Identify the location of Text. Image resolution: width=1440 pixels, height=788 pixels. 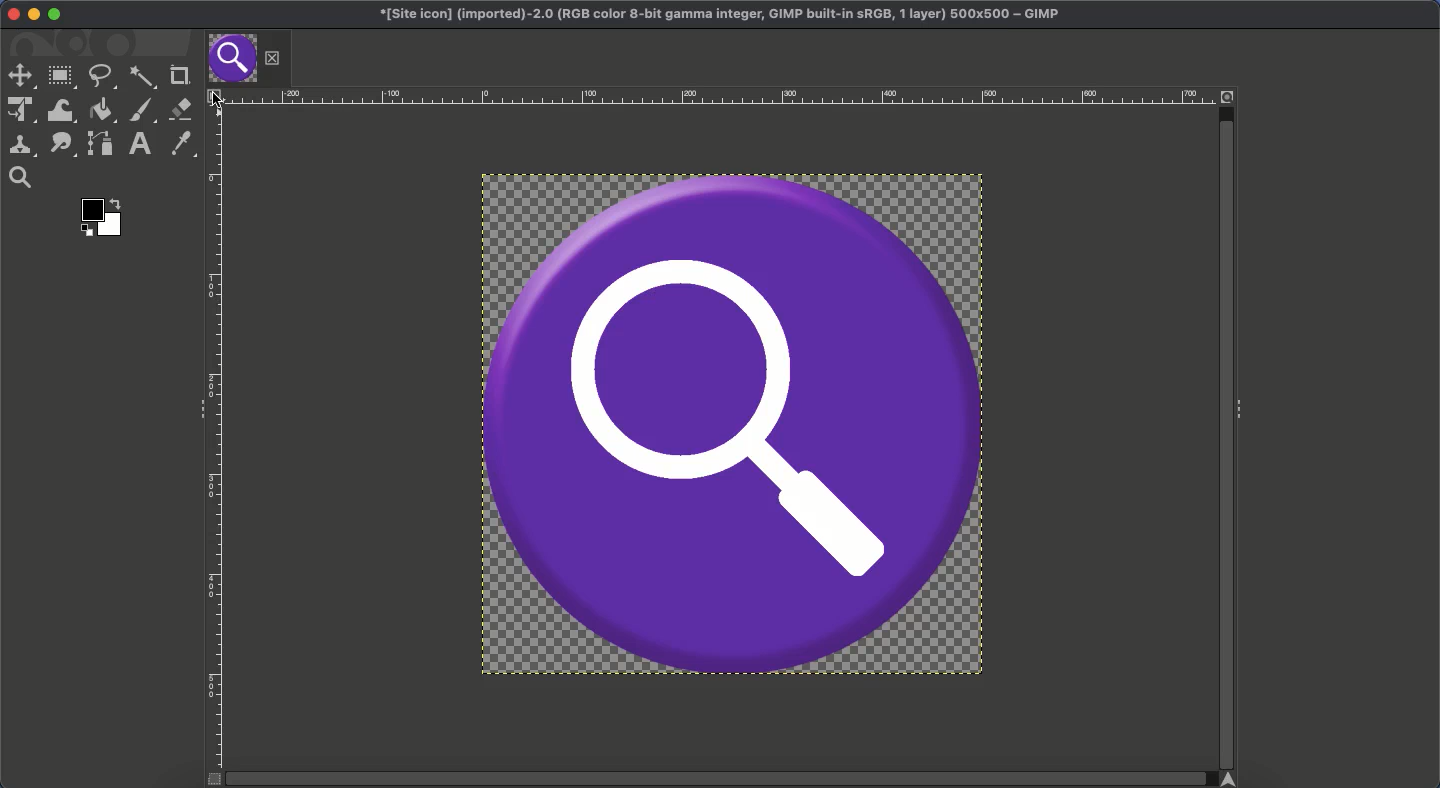
(139, 144).